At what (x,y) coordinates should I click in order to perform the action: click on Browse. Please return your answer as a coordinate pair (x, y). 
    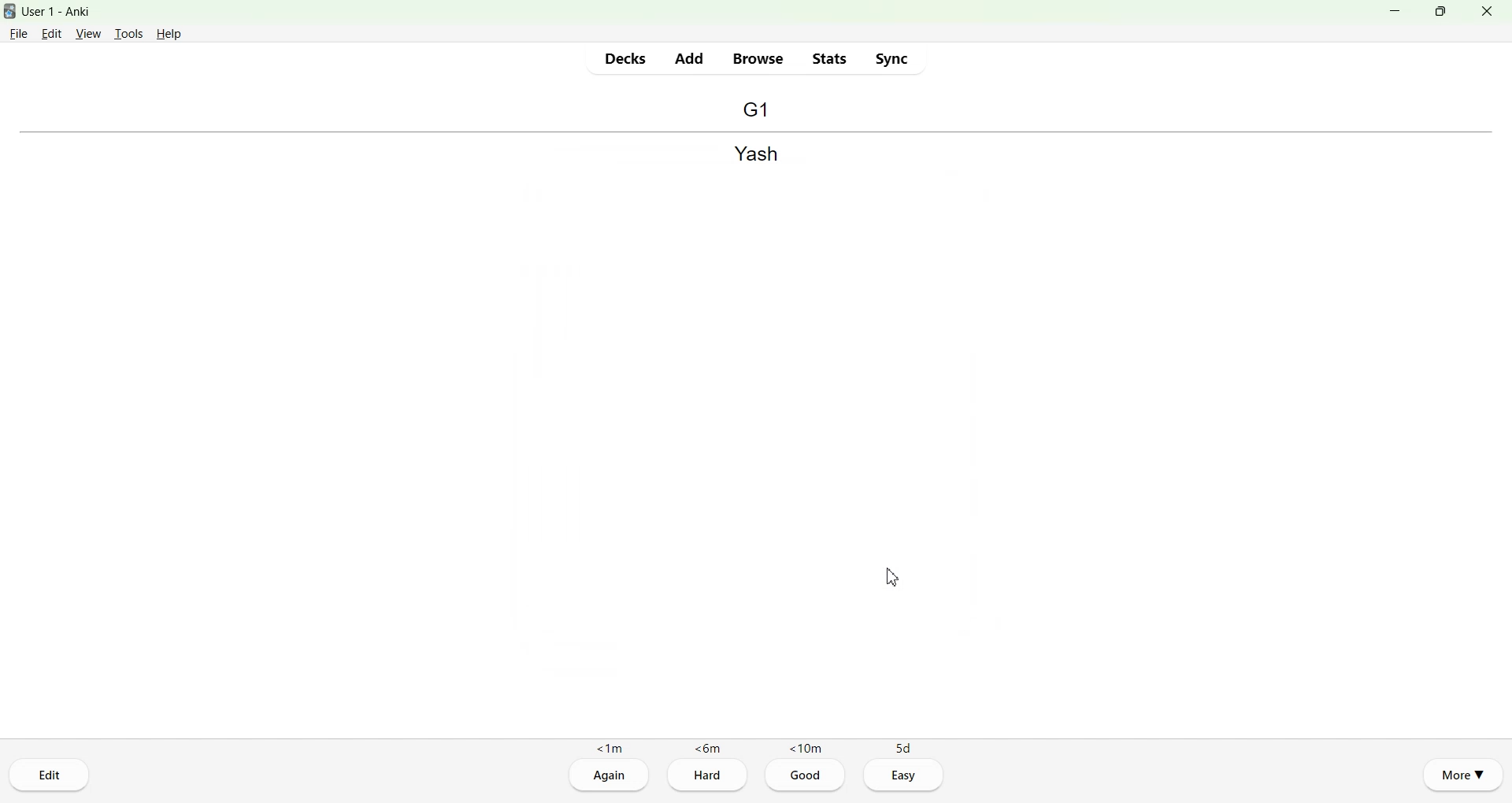
    Looking at the image, I should click on (759, 59).